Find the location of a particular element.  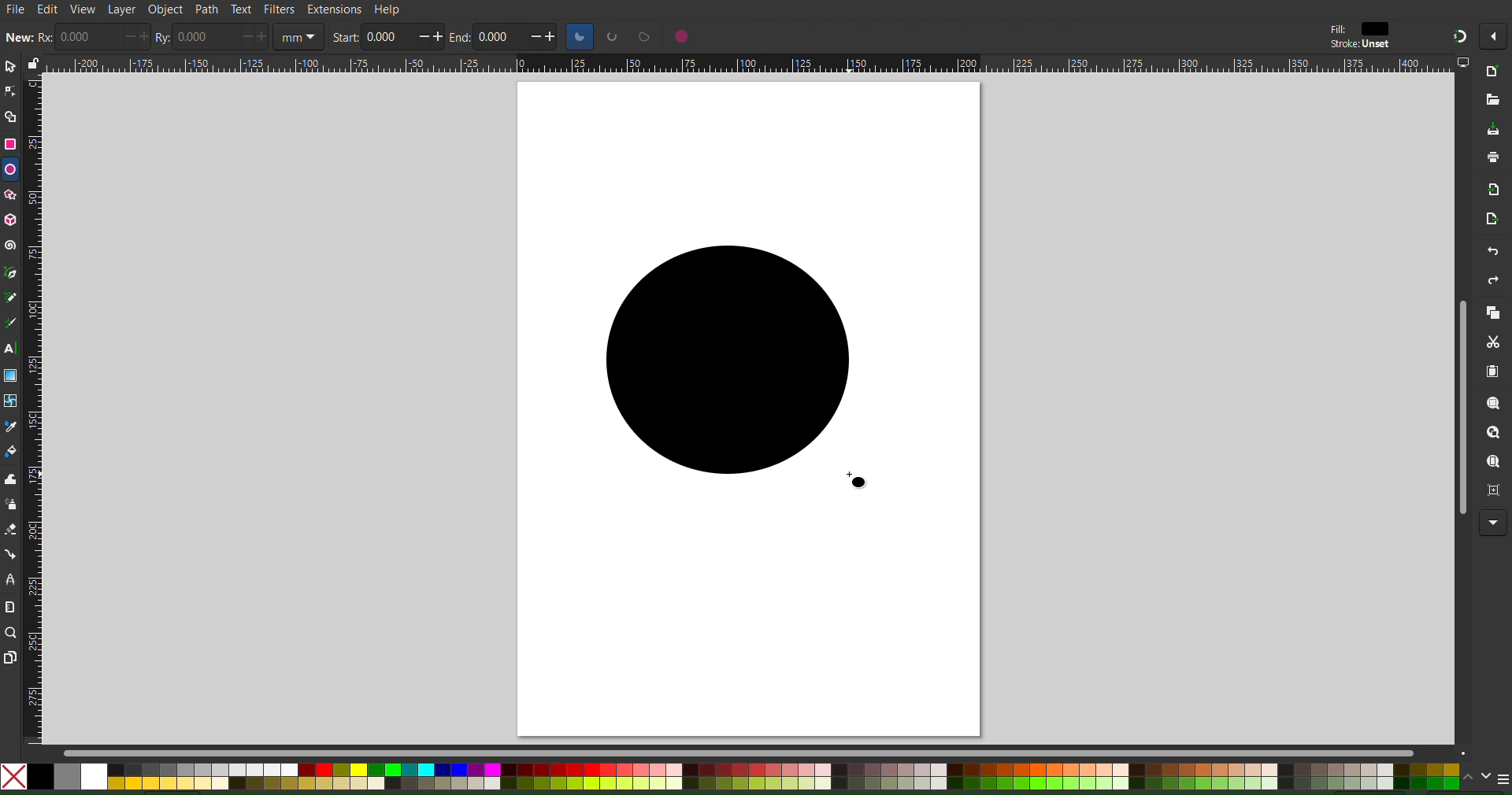

Shape Builder Tool is located at coordinates (11, 116).